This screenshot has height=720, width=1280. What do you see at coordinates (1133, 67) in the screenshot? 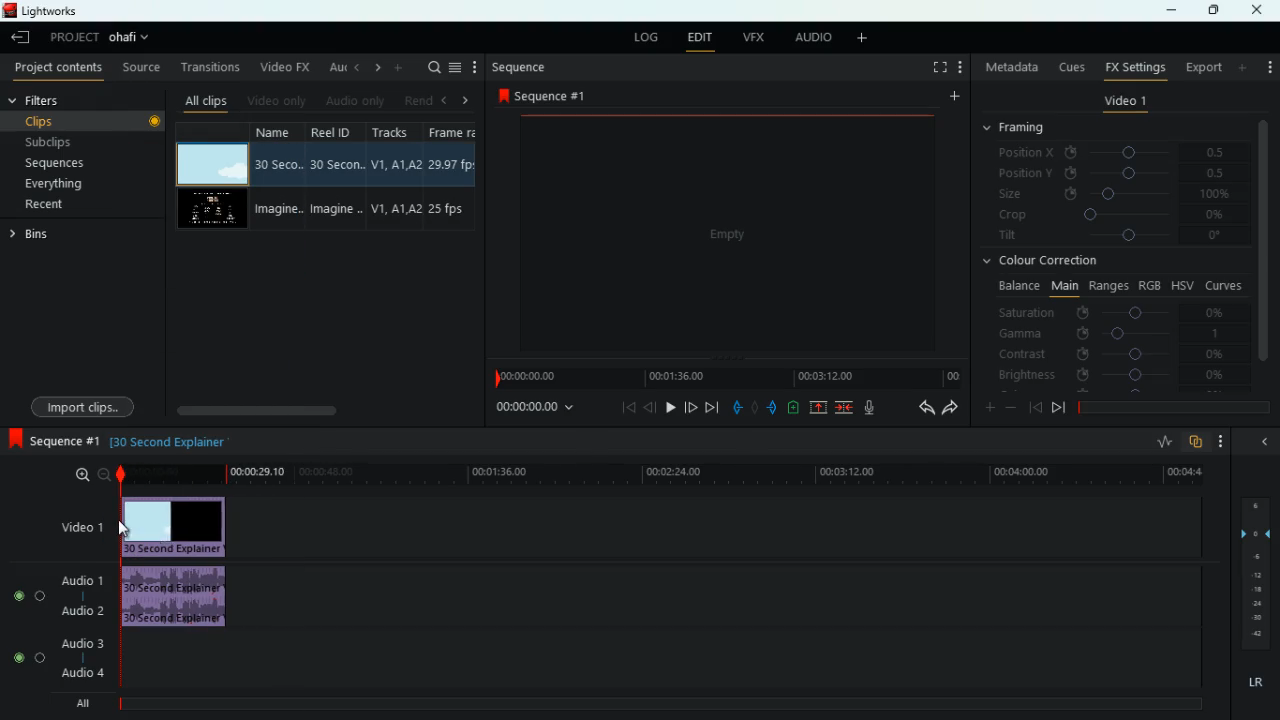
I see `fx settings` at bounding box center [1133, 67].